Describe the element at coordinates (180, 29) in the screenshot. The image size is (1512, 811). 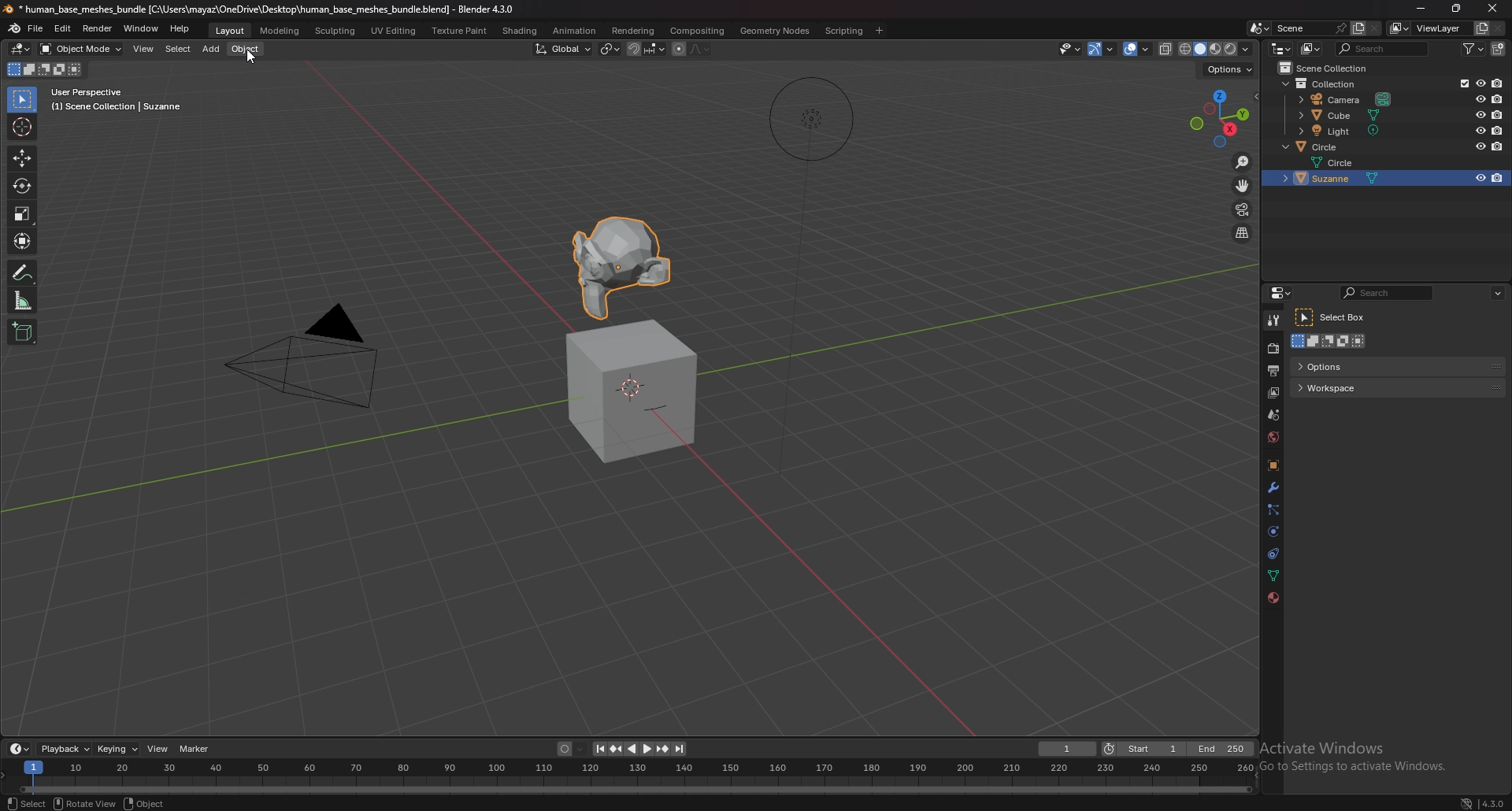
I see `help` at that location.